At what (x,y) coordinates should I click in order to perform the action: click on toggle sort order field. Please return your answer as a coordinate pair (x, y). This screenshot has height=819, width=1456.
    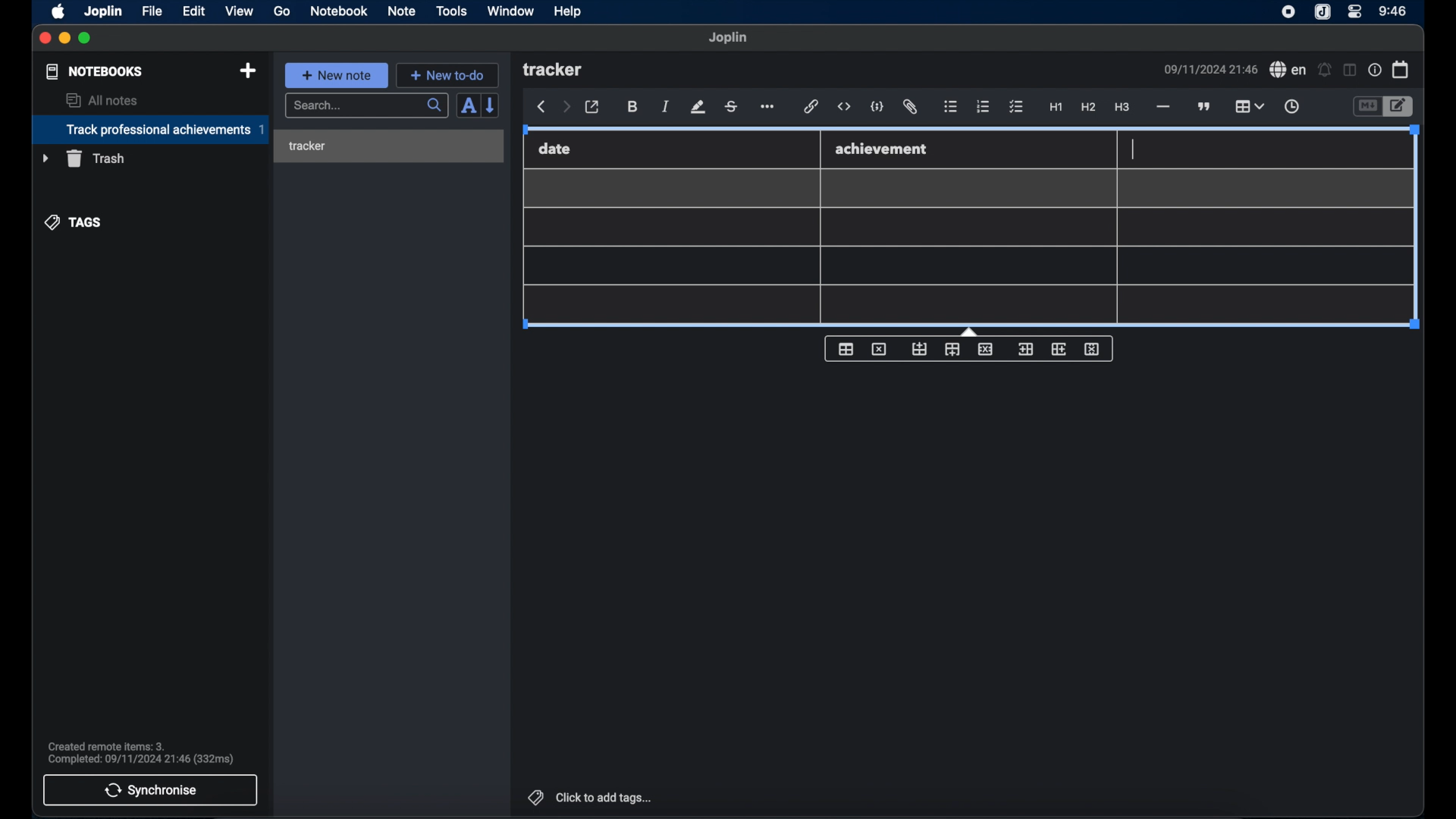
    Looking at the image, I should click on (466, 107).